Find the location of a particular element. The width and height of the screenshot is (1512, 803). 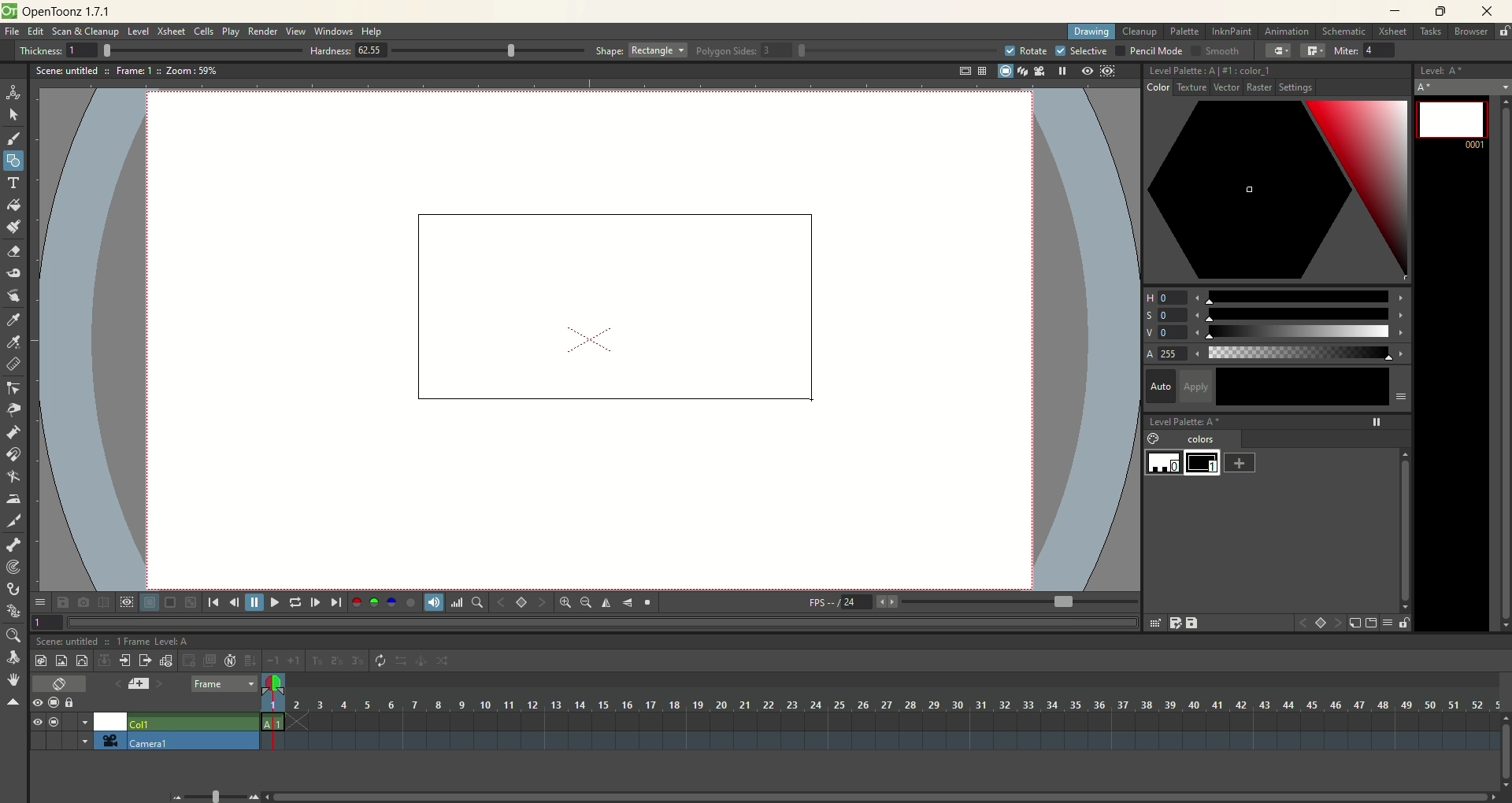

field guide is located at coordinates (981, 71).